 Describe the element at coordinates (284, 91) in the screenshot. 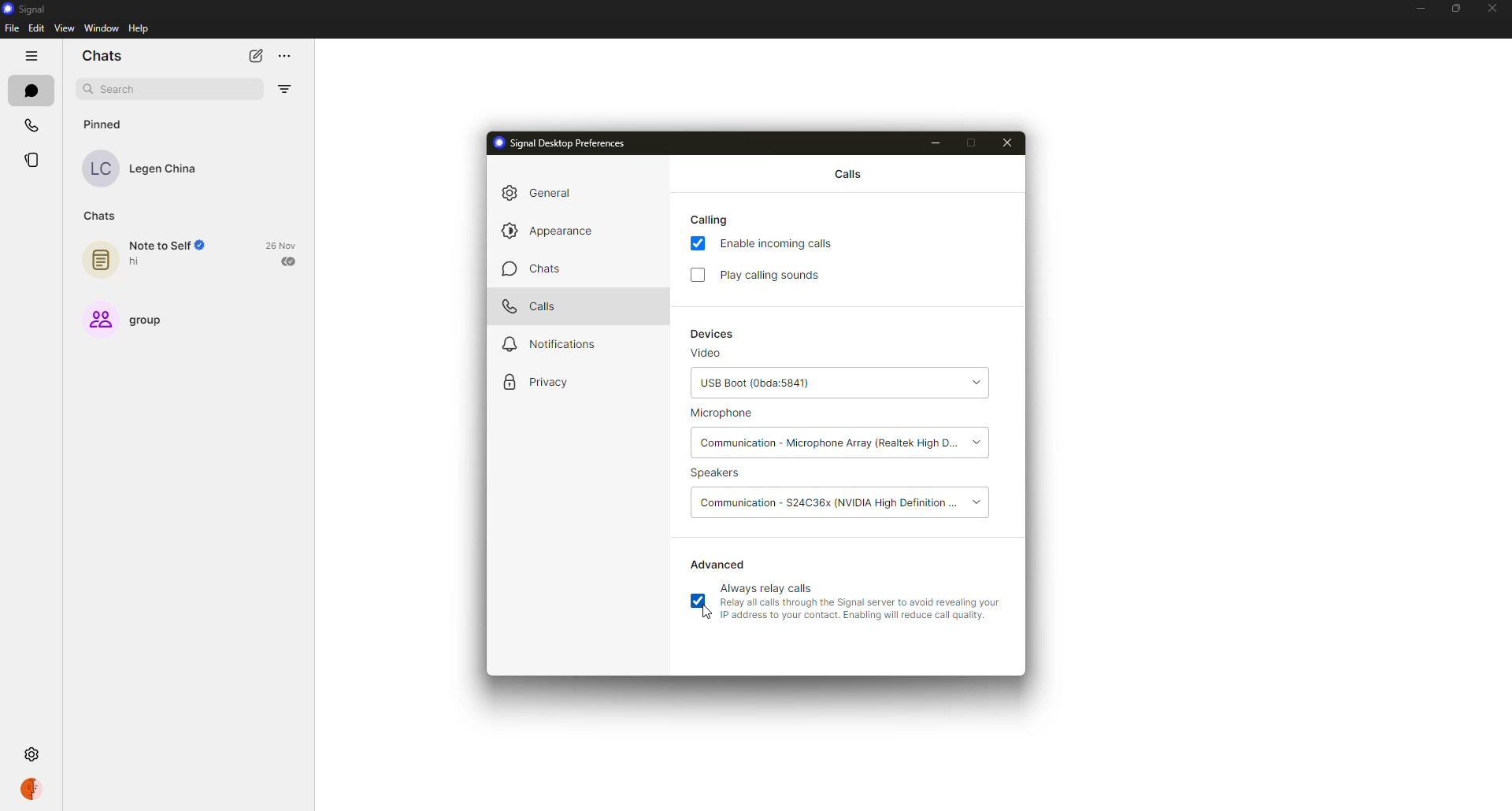

I see `filter` at that location.